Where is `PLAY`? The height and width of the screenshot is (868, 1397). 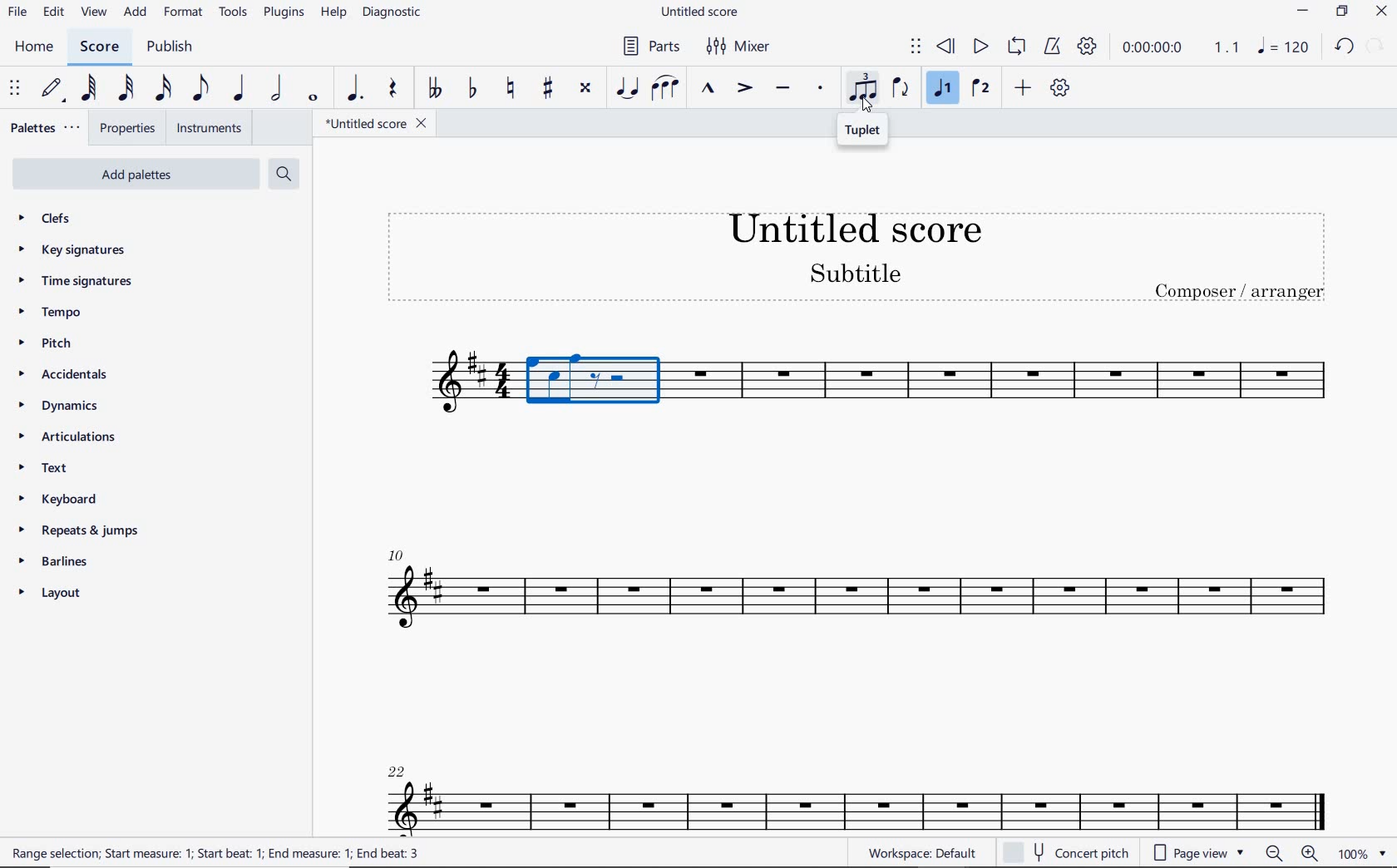 PLAY is located at coordinates (980, 47).